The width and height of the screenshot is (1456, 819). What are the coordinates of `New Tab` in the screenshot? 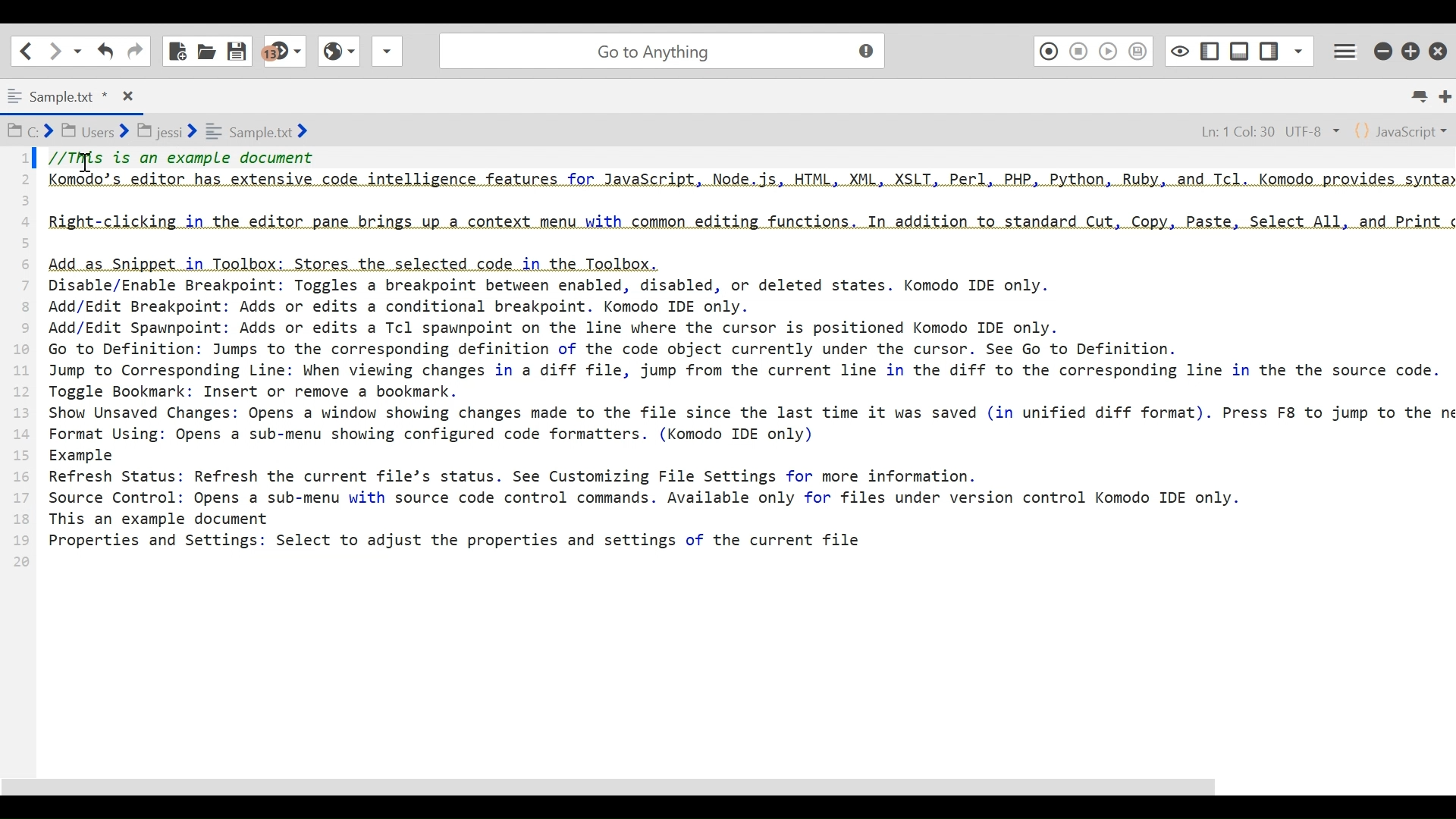 It's located at (1445, 96).